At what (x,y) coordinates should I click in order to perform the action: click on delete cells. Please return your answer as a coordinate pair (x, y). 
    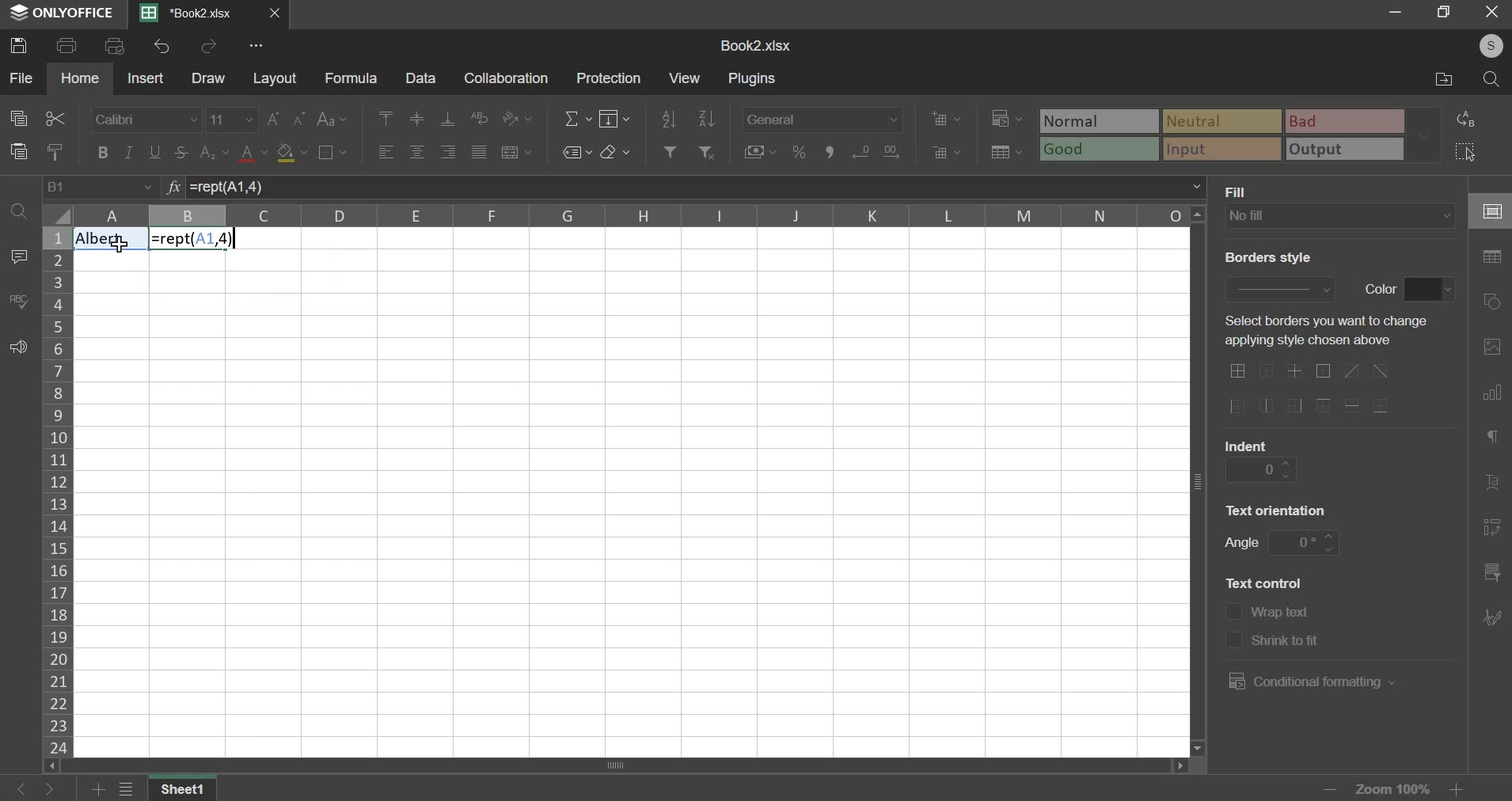
    Looking at the image, I should click on (946, 152).